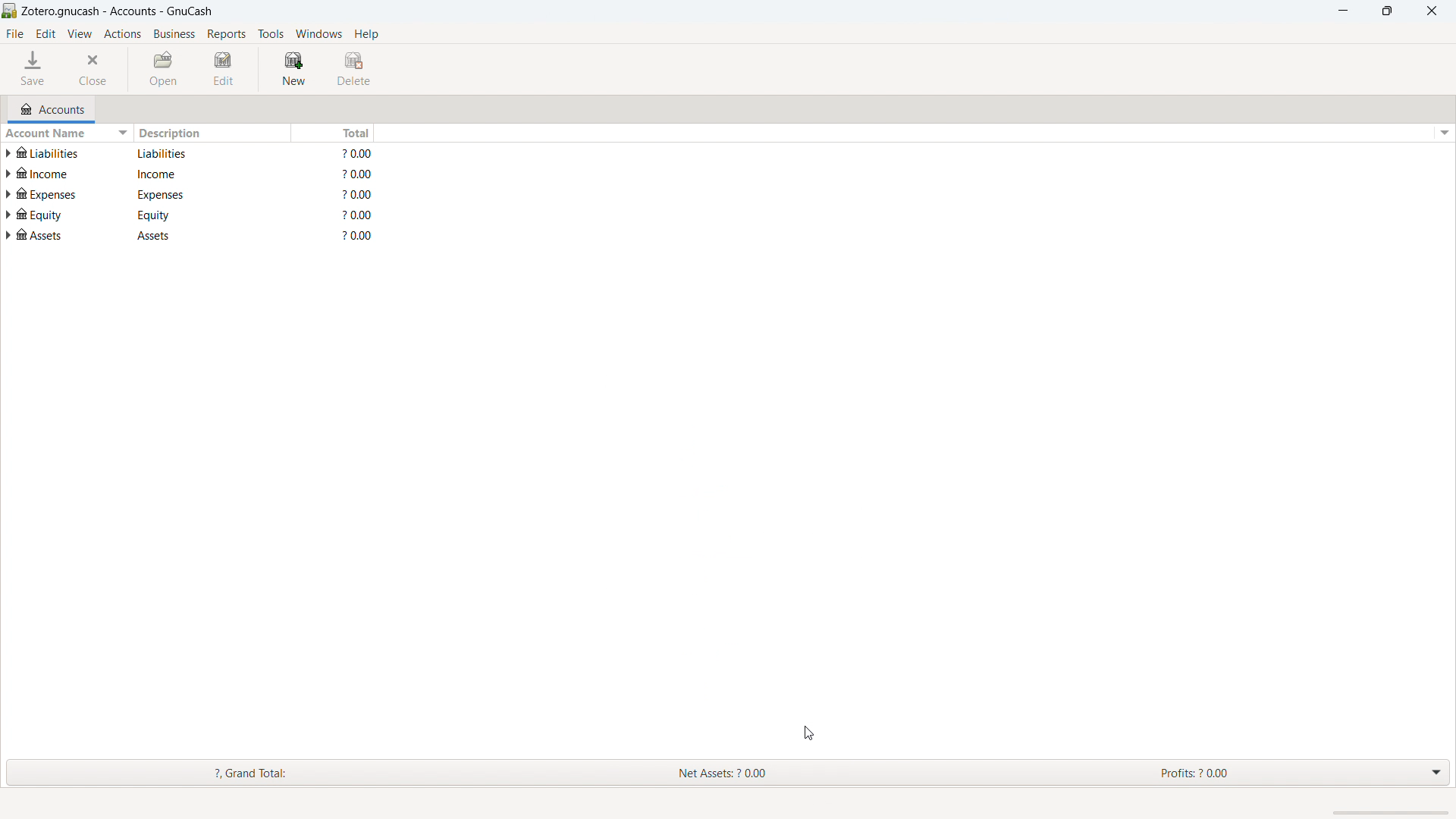  Describe the element at coordinates (350, 236) in the screenshot. I see `total` at that location.